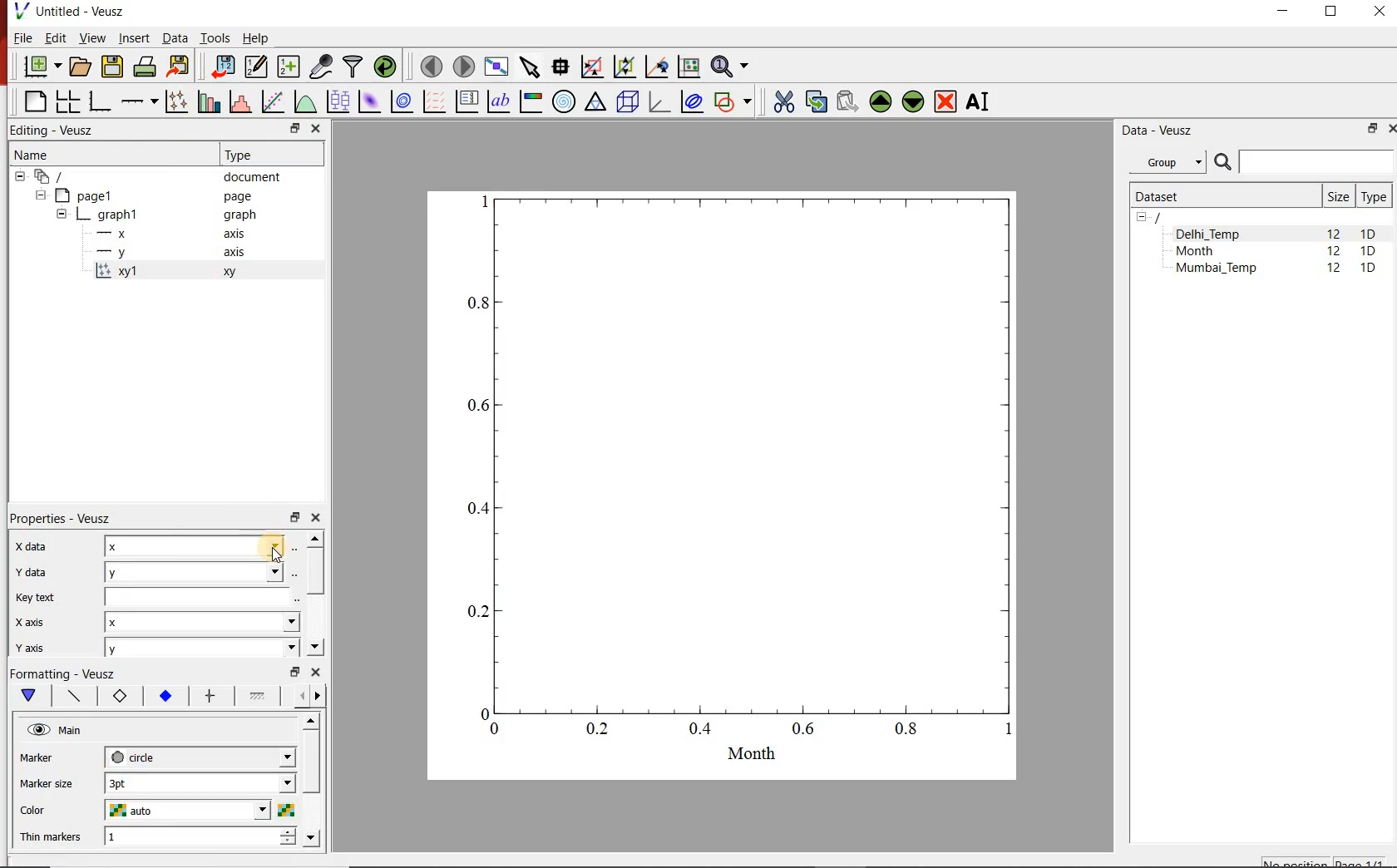 The height and width of the screenshot is (868, 1397). What do you see at coordinates (34, 599) in the screenshot?
I see `Key text` at bounding box center [34, 599].